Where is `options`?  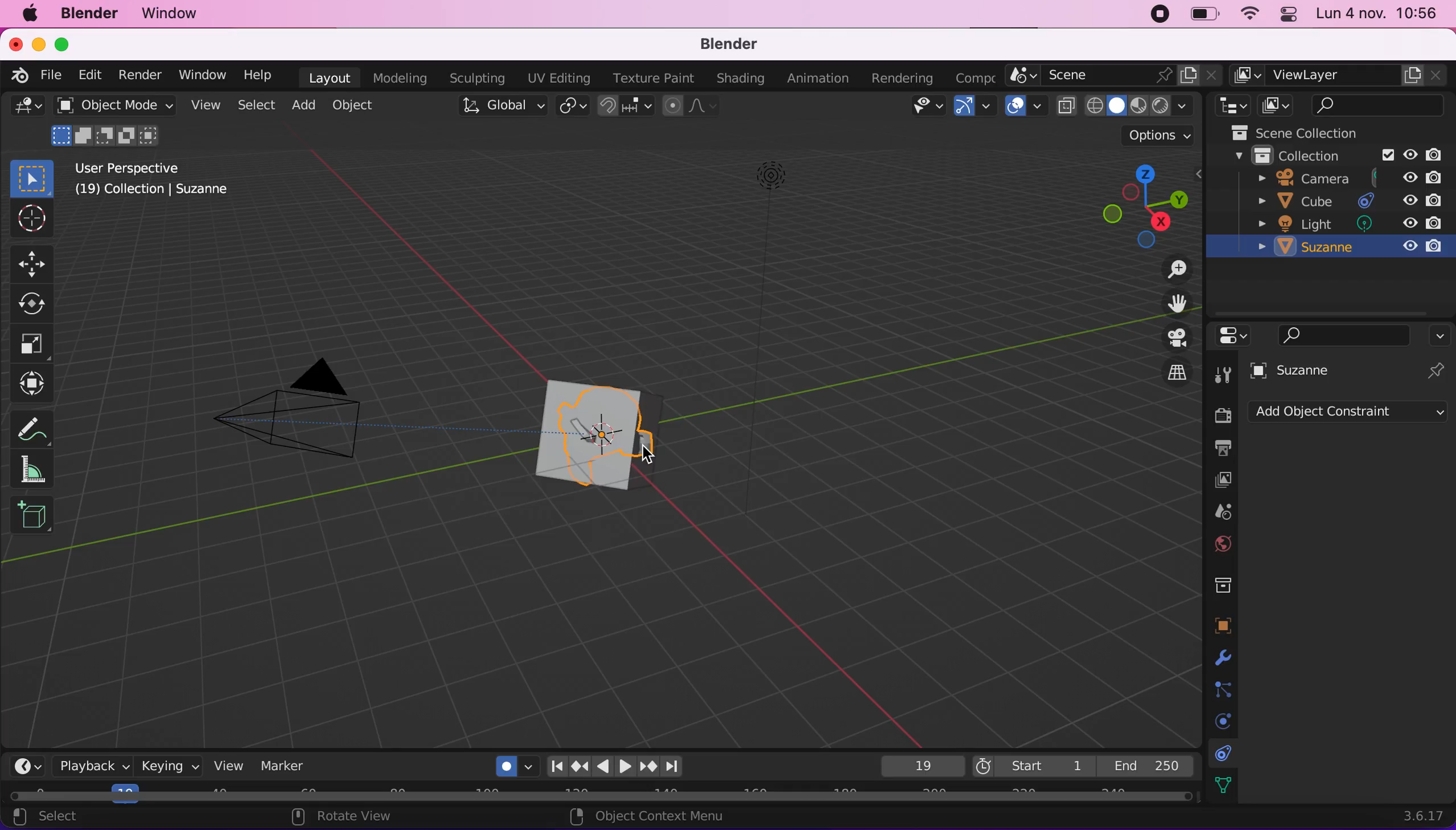
options is located at coordinates (1442, 335).